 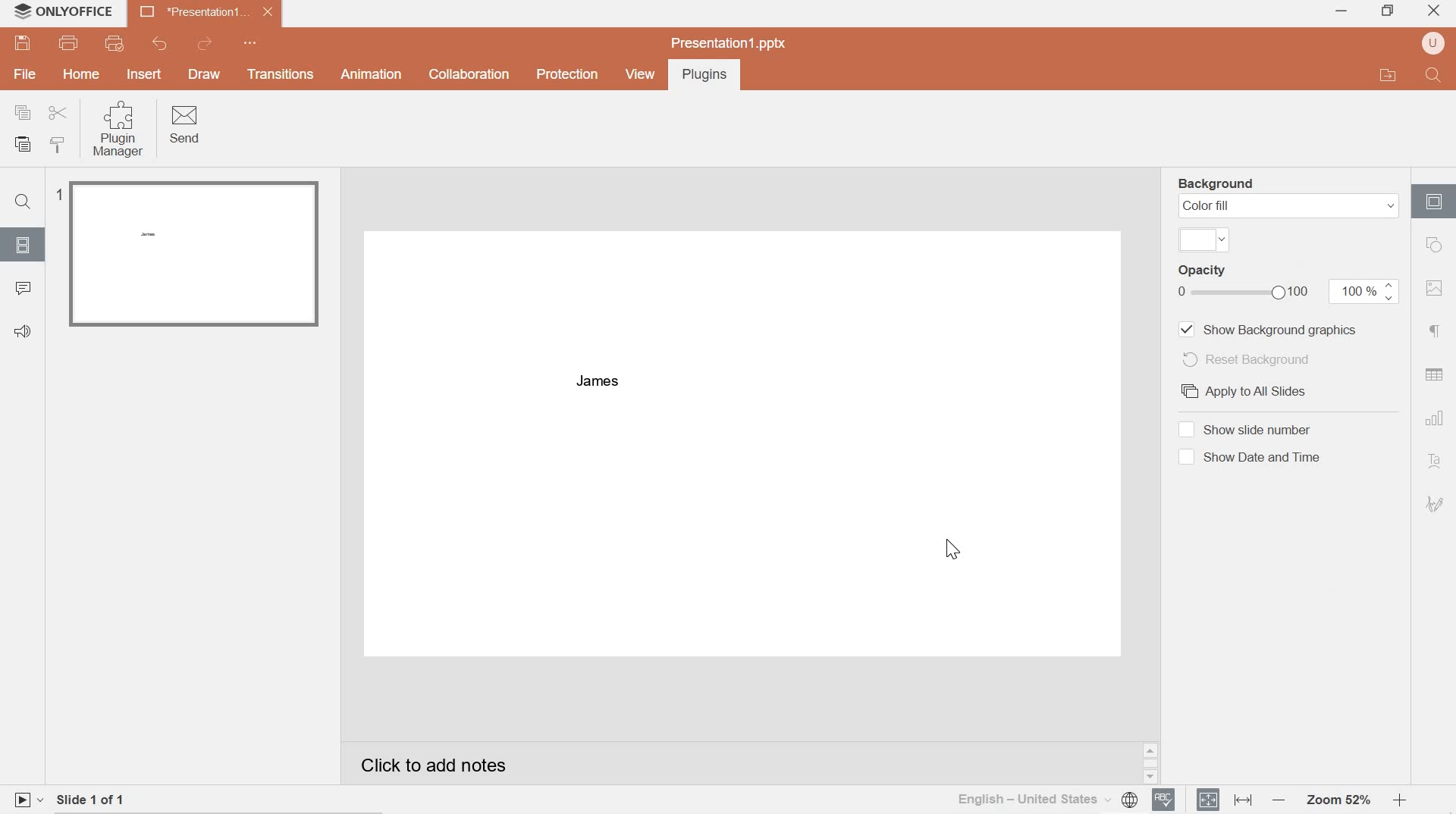 What do you see at coordinates (701, 76) in the screenshot?
I see `Plugins` at bounding box center [701, 76].